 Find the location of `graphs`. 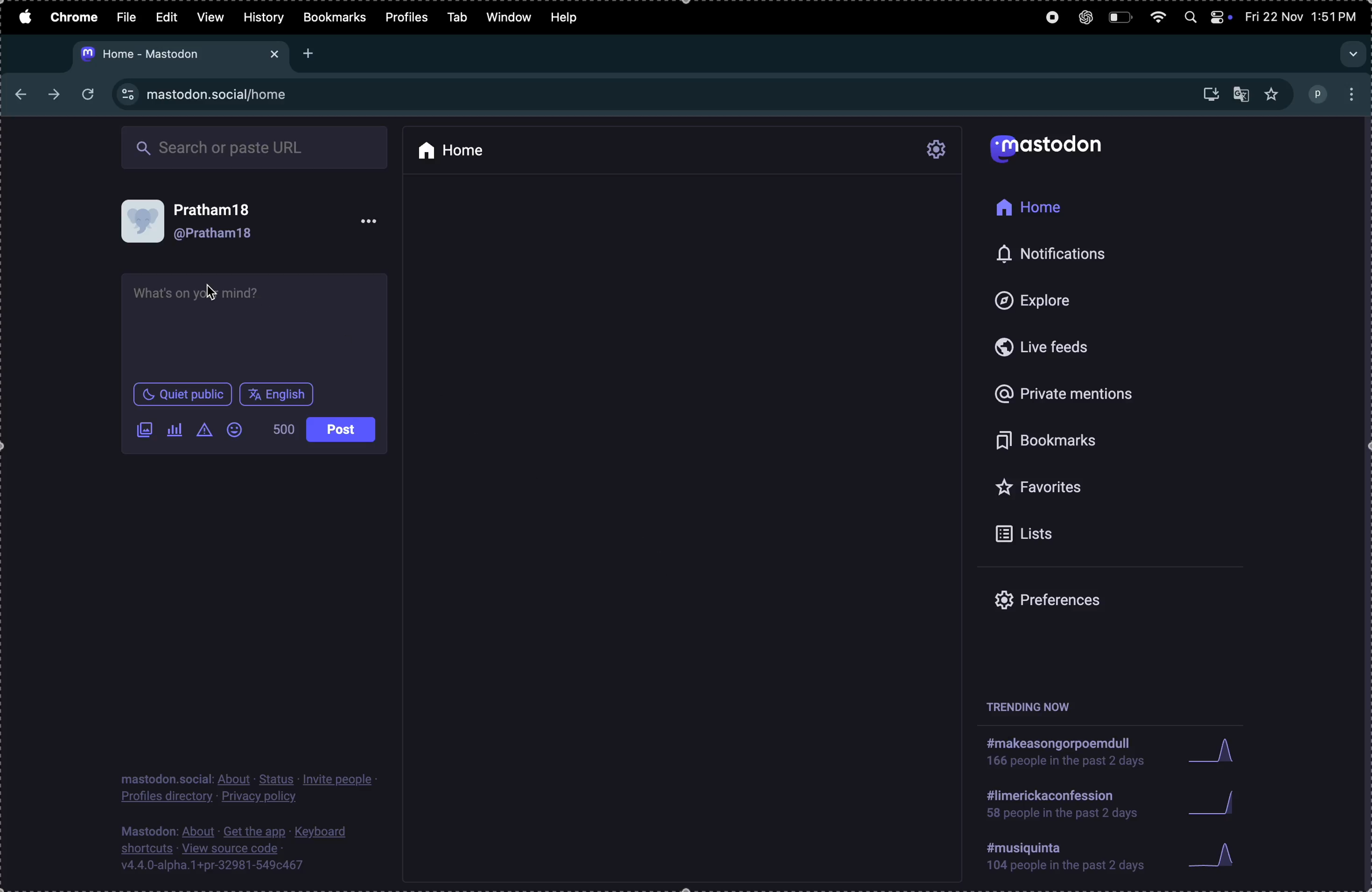

graphs is located at coordinates (1211, 856).